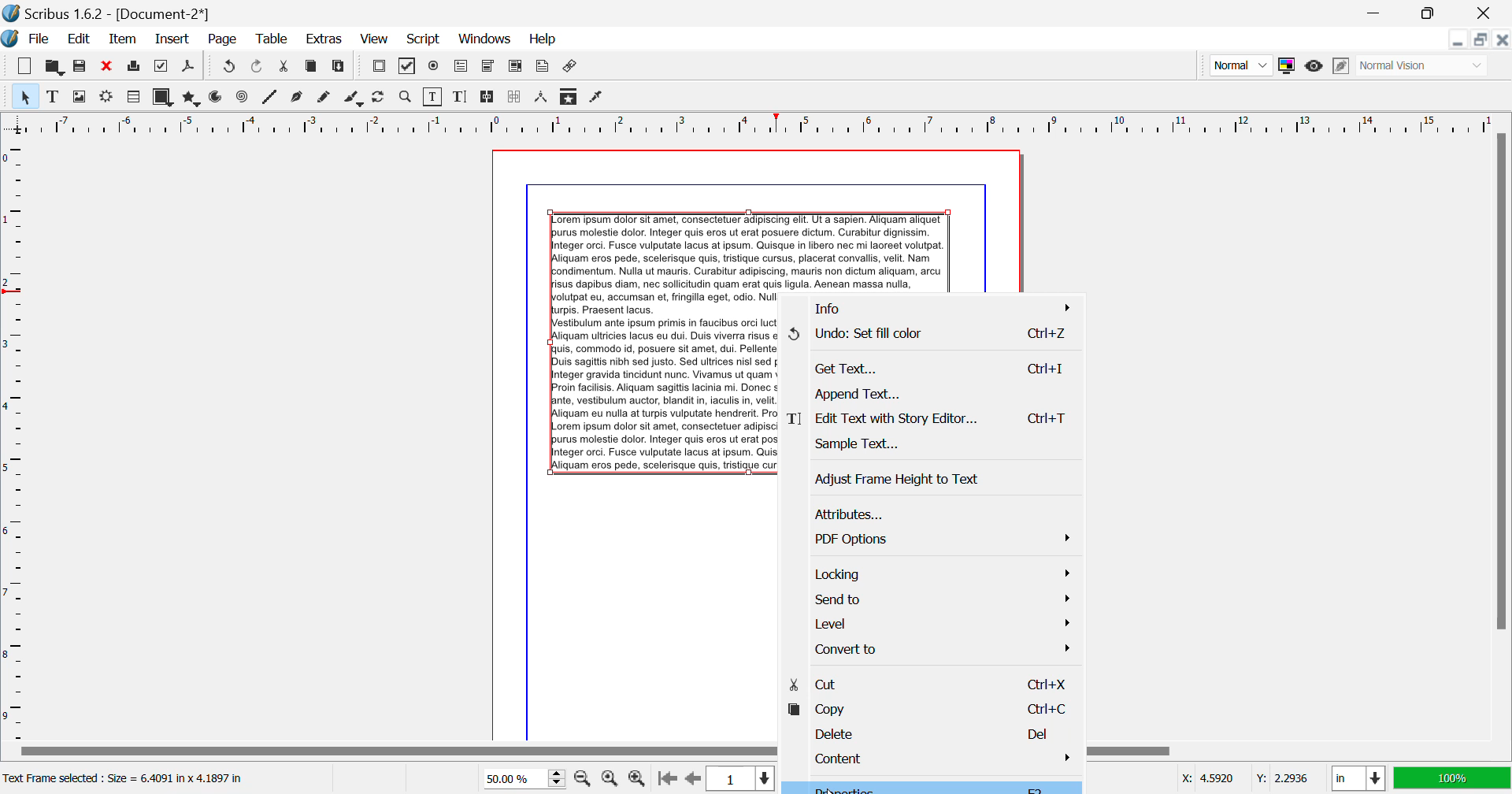 This screenshot has width=1512, height=794. Describe the element at coordinates (935, 419) in the screenshot. I see `Edit Text with Story Editor` at that location.